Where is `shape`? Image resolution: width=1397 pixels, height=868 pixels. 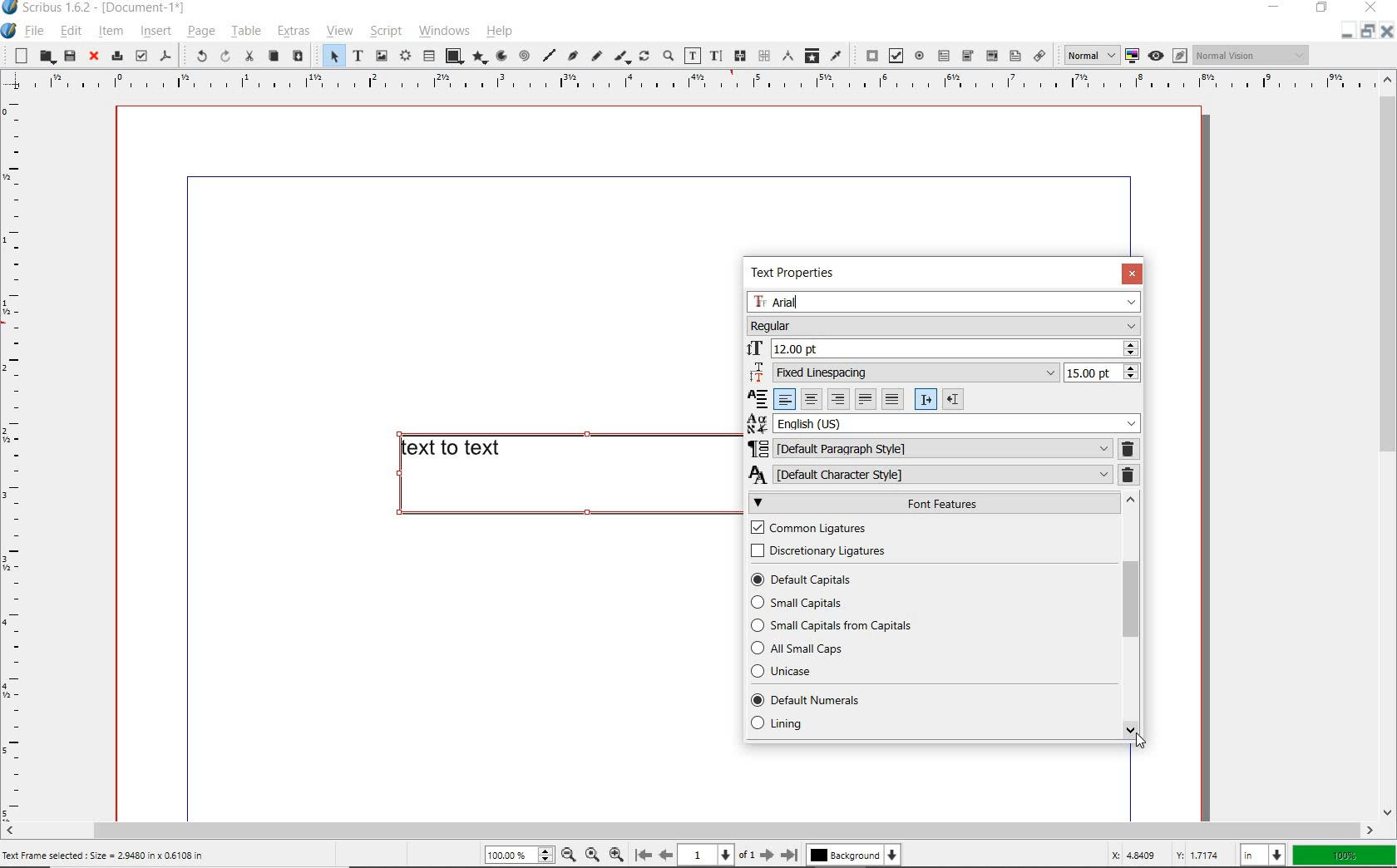
shape is located at coordinates (453, 57).